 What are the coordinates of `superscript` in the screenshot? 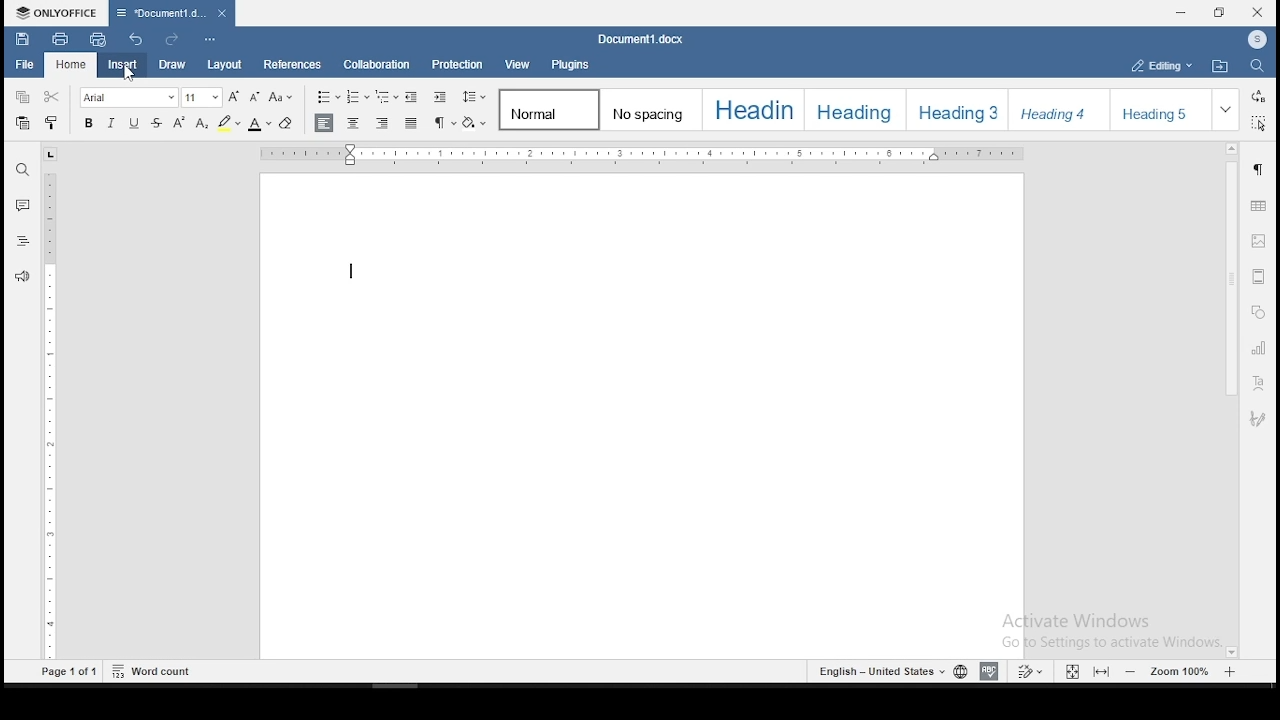 It's located at (181, 122).